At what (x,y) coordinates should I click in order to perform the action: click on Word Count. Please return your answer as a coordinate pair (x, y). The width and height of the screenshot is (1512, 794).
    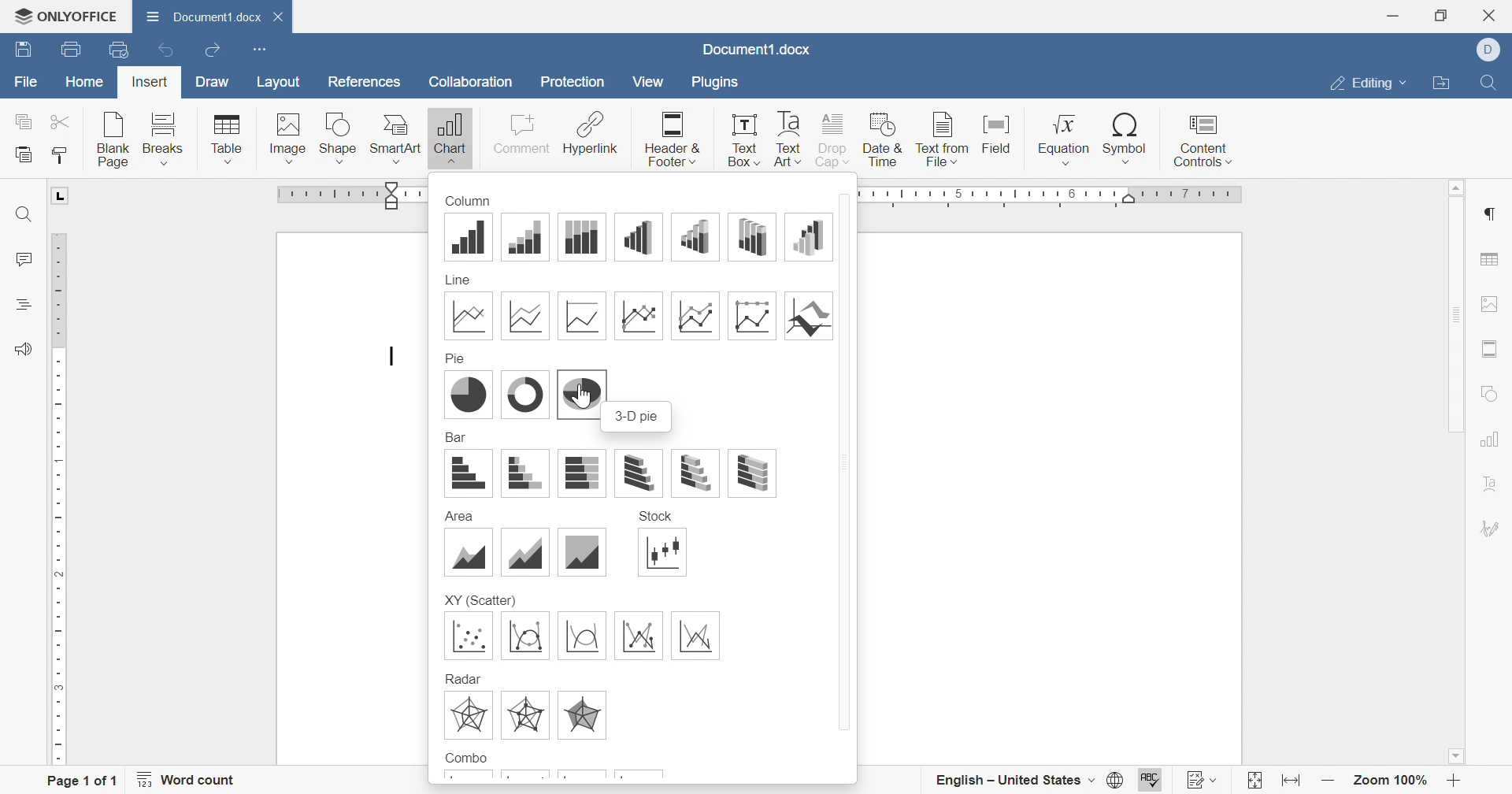
    Looking at the image, I should click on (189, 779).